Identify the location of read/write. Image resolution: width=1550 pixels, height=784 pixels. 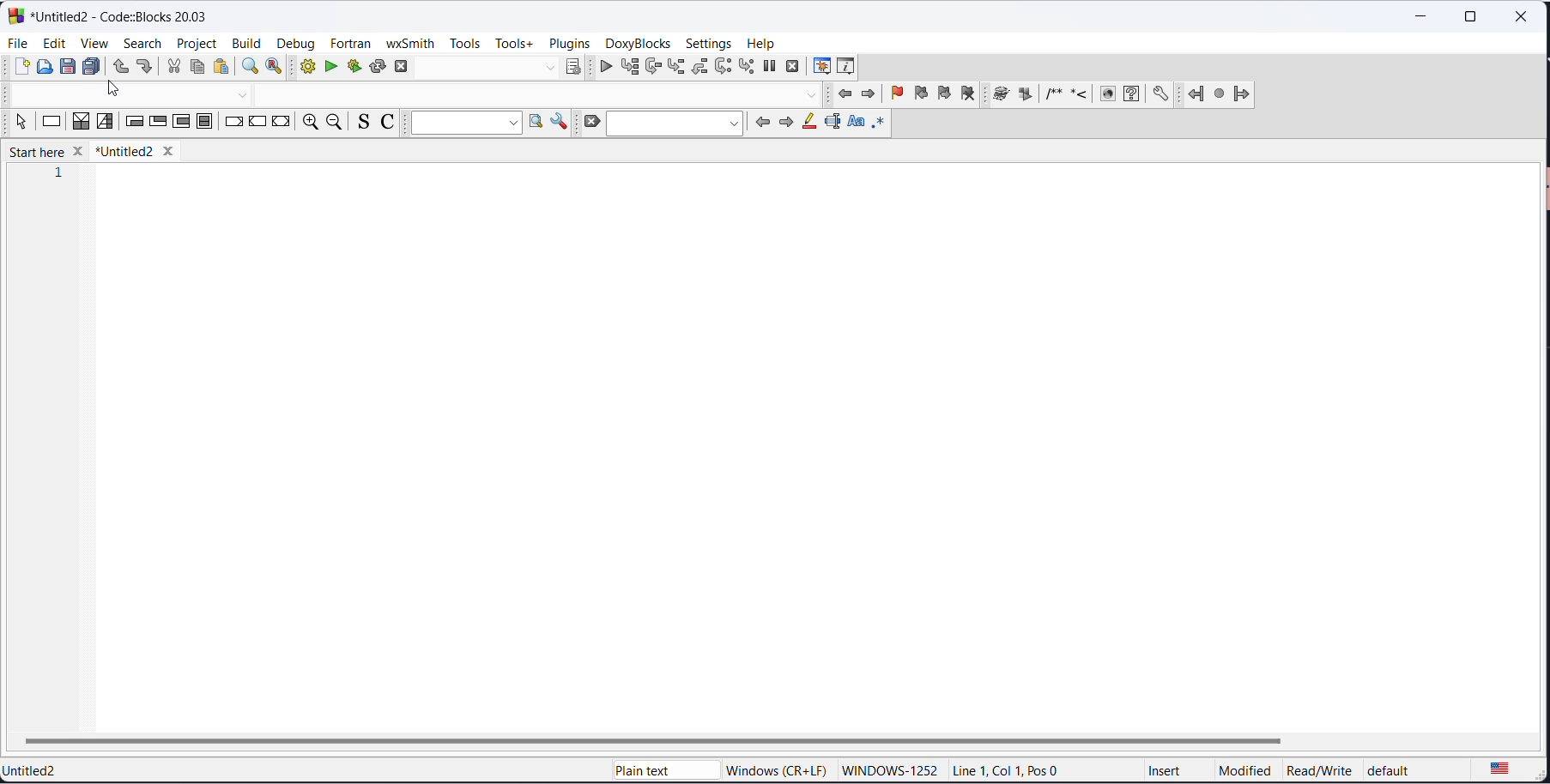
(1318, 770).